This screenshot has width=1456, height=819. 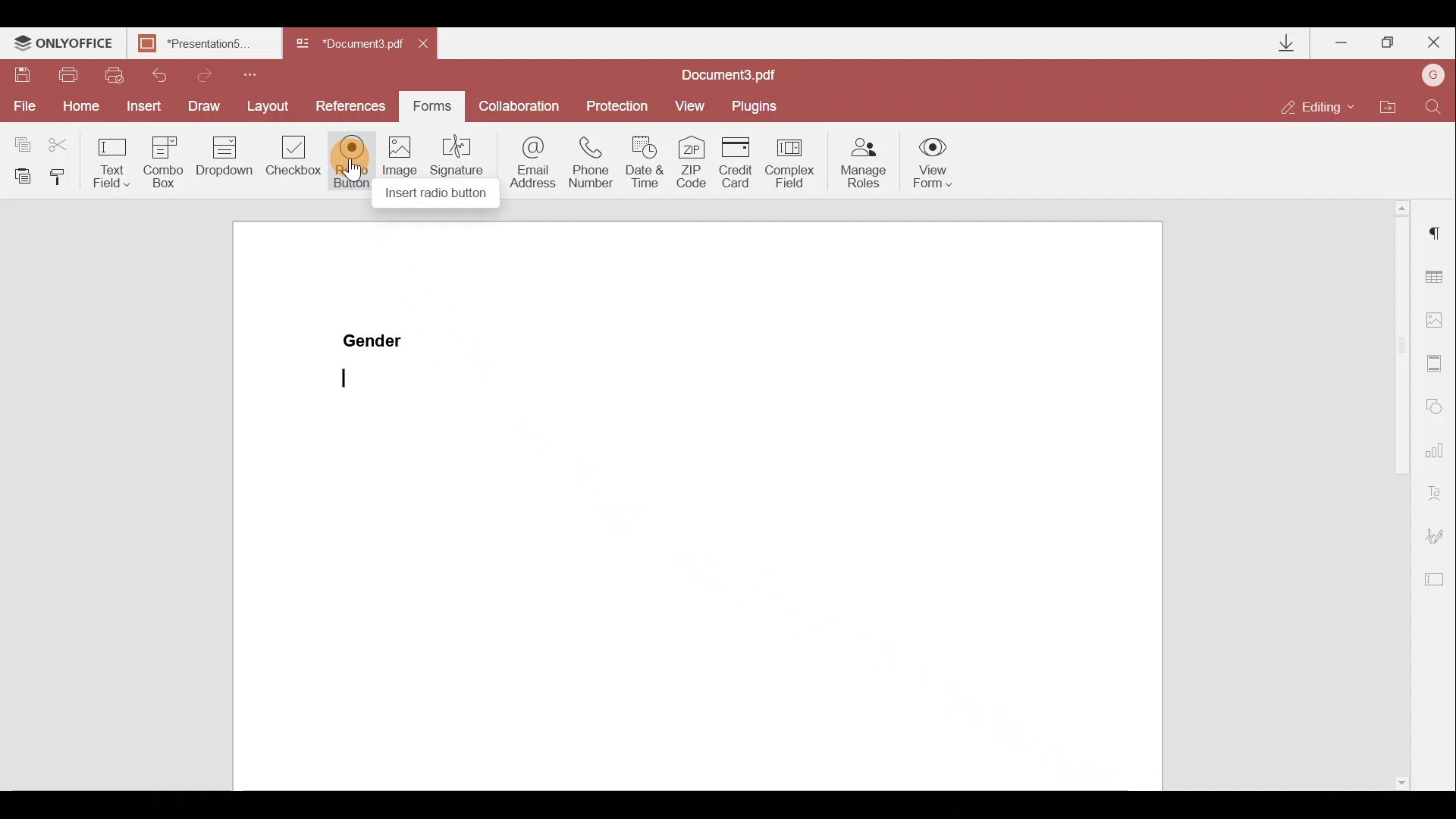 What do you see at coordinates (1389, 496) in the screenshot?
I see `Scroll bar` at bounding box center [1389, 496].